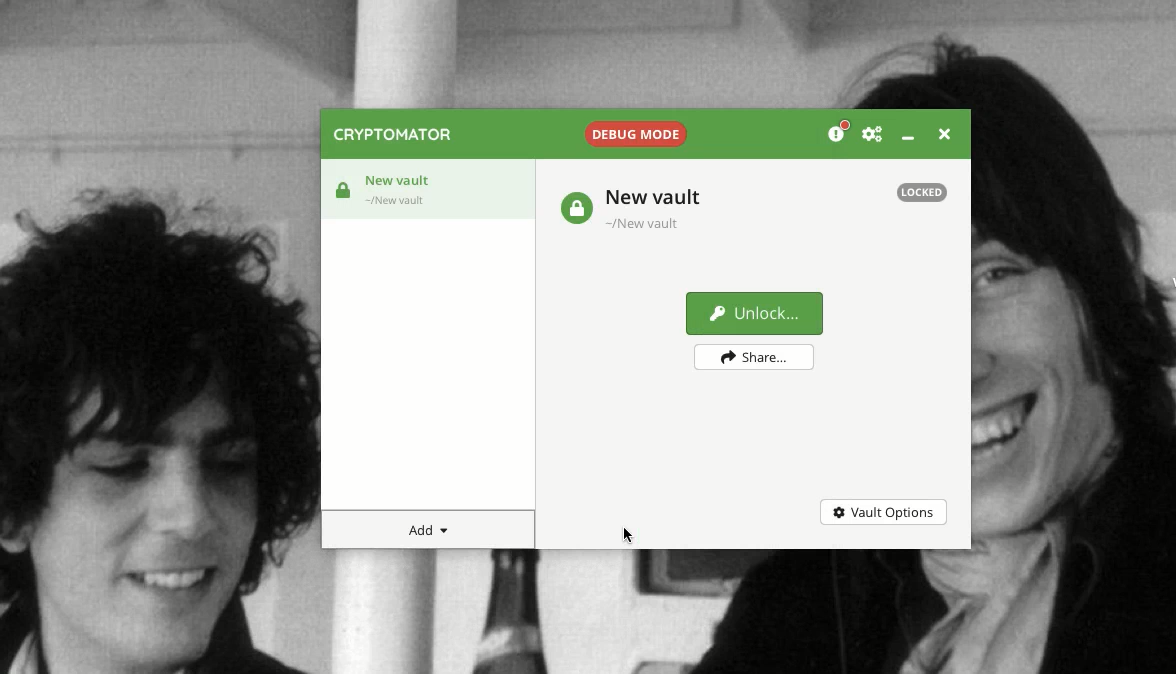 This screenshot has height=674, width=1176. I want to click on Vault options, so click(882, 513).